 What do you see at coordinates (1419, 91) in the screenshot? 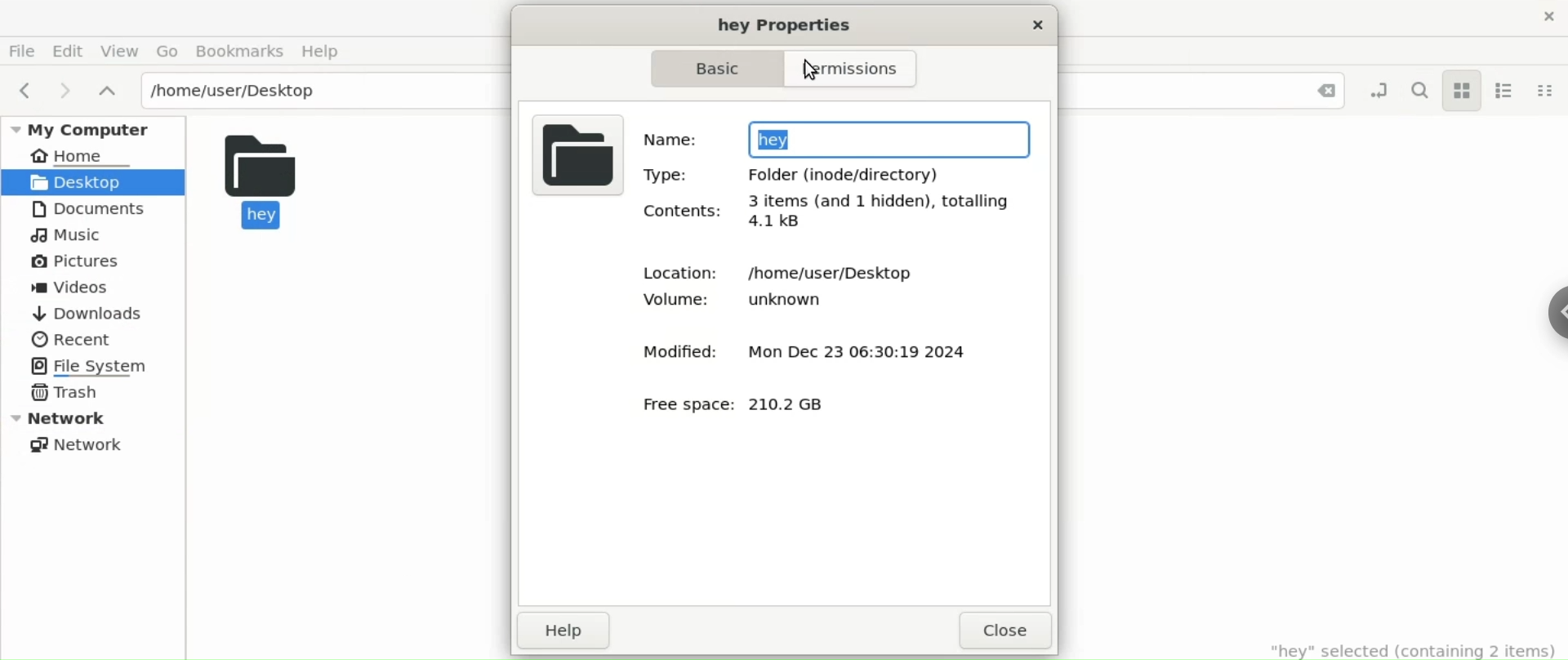
I see `search` at bounding box center [1419, 91].